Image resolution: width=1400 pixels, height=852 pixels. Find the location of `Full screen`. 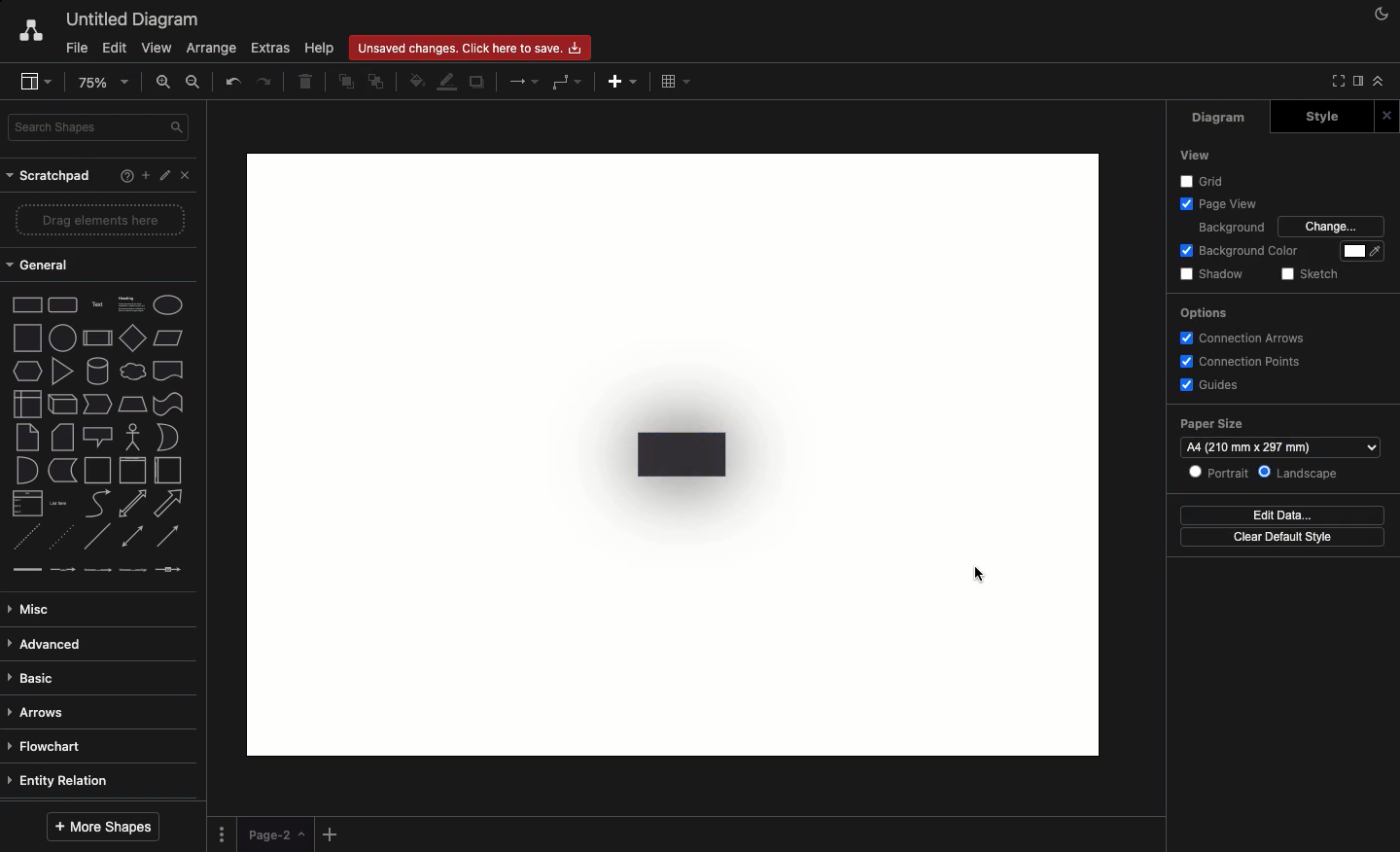

Full screen is located at coordinates (1334, 81).